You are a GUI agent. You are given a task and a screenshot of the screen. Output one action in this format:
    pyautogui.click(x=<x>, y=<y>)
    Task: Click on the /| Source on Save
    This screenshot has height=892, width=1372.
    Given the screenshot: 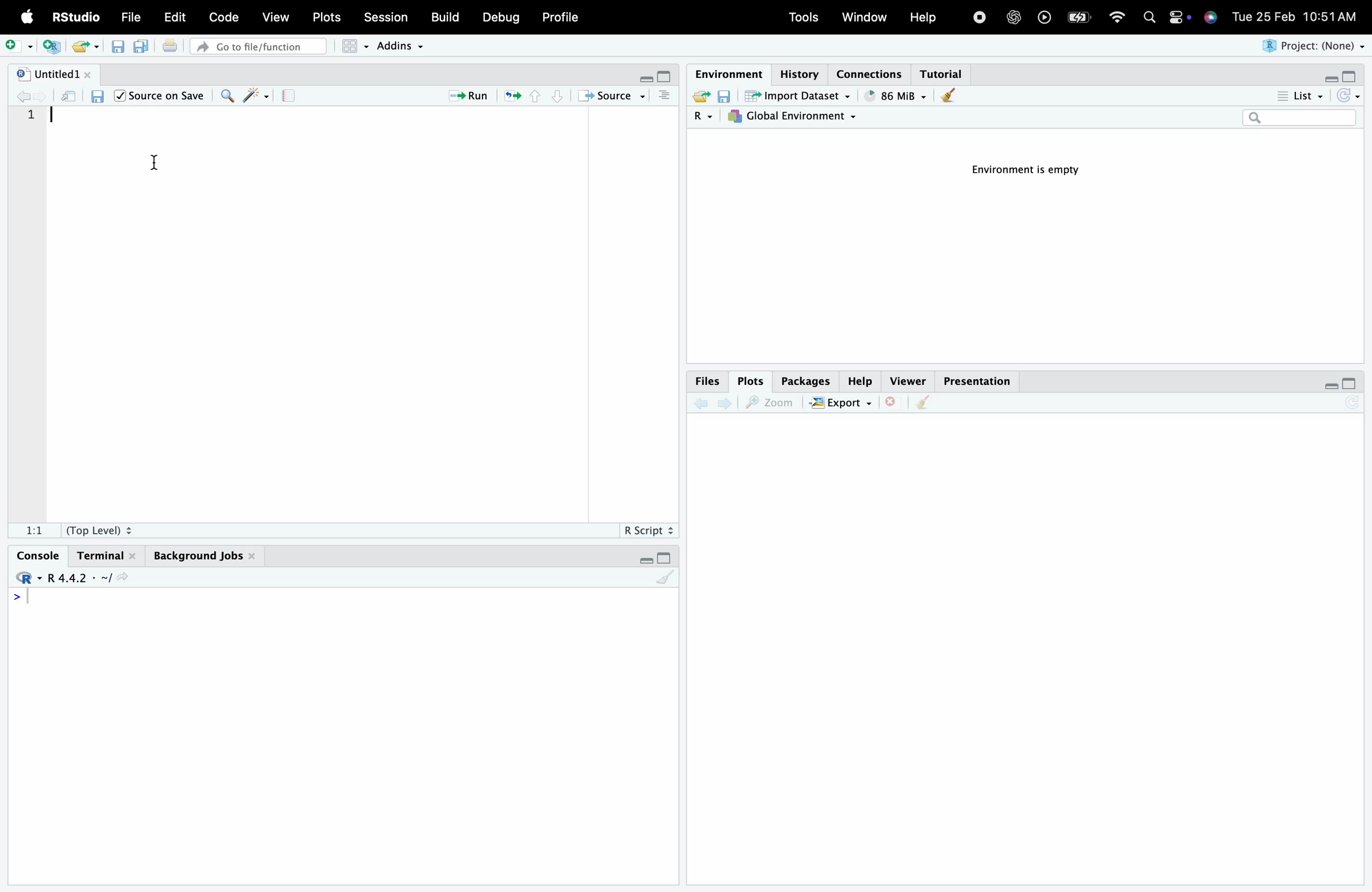 What is the action you would take?
    pyautogui.click(x=160, y=96)
    